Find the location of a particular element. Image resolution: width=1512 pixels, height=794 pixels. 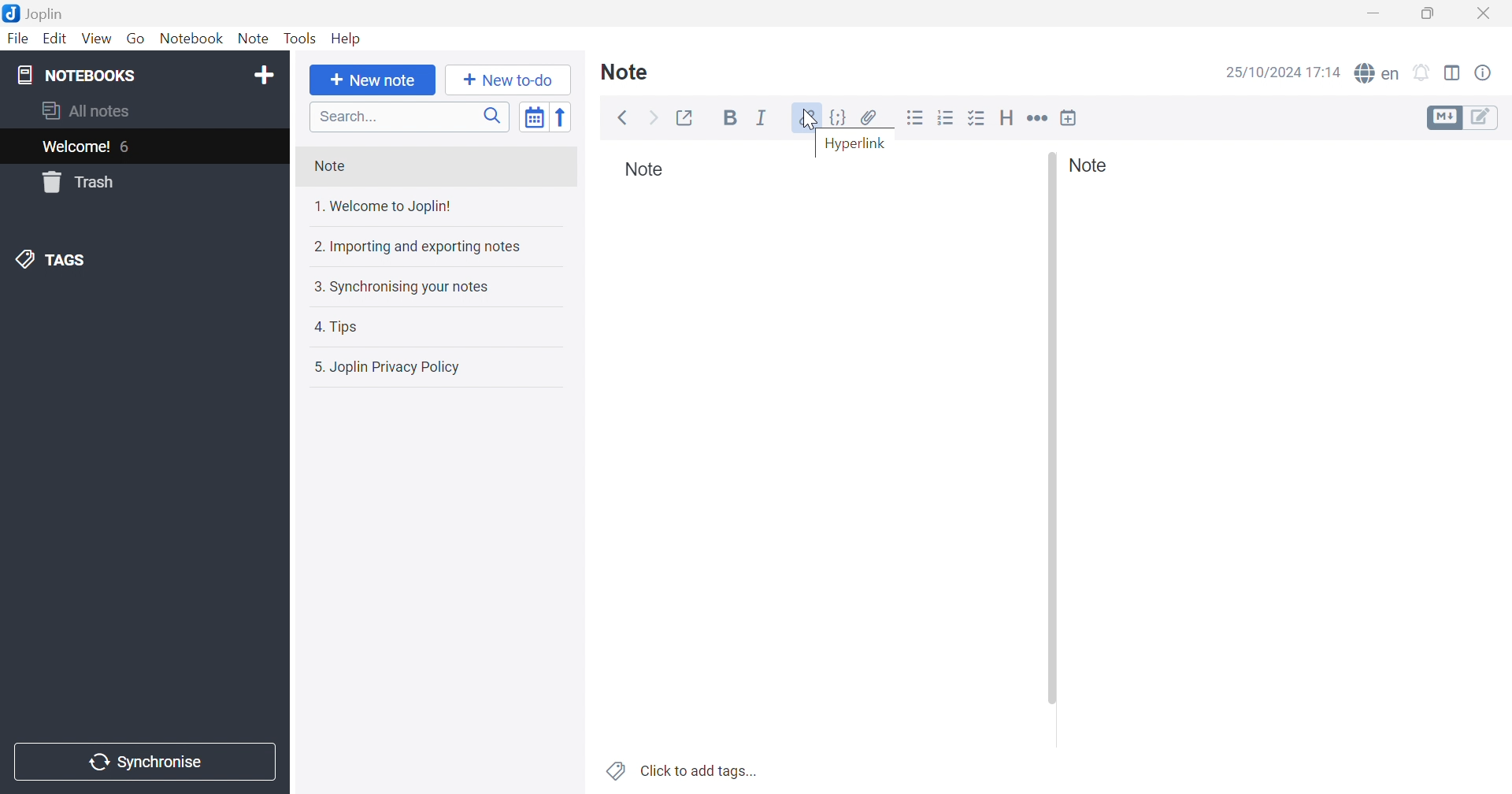

Heading is located at coordinates (1007, 118).